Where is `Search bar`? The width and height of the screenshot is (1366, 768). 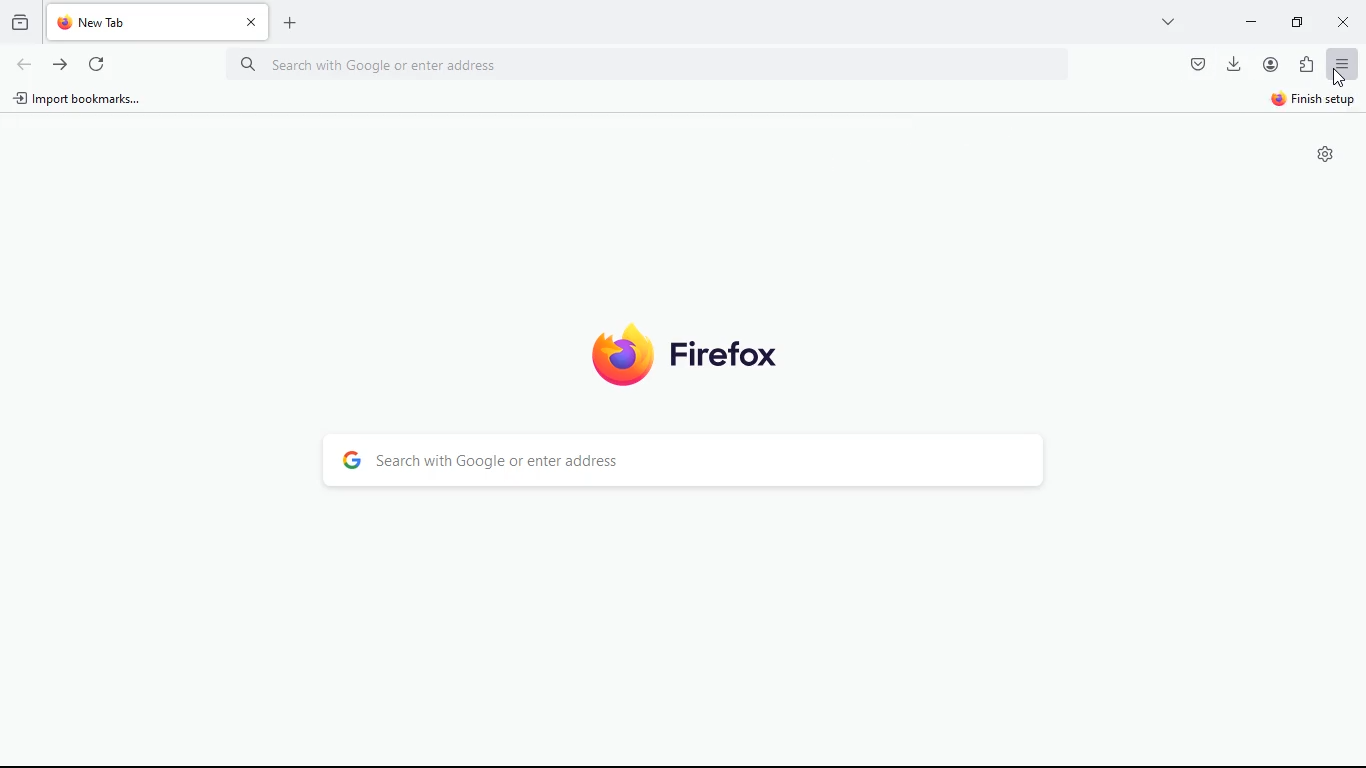 Search bar is located at coordinates (653, 64).